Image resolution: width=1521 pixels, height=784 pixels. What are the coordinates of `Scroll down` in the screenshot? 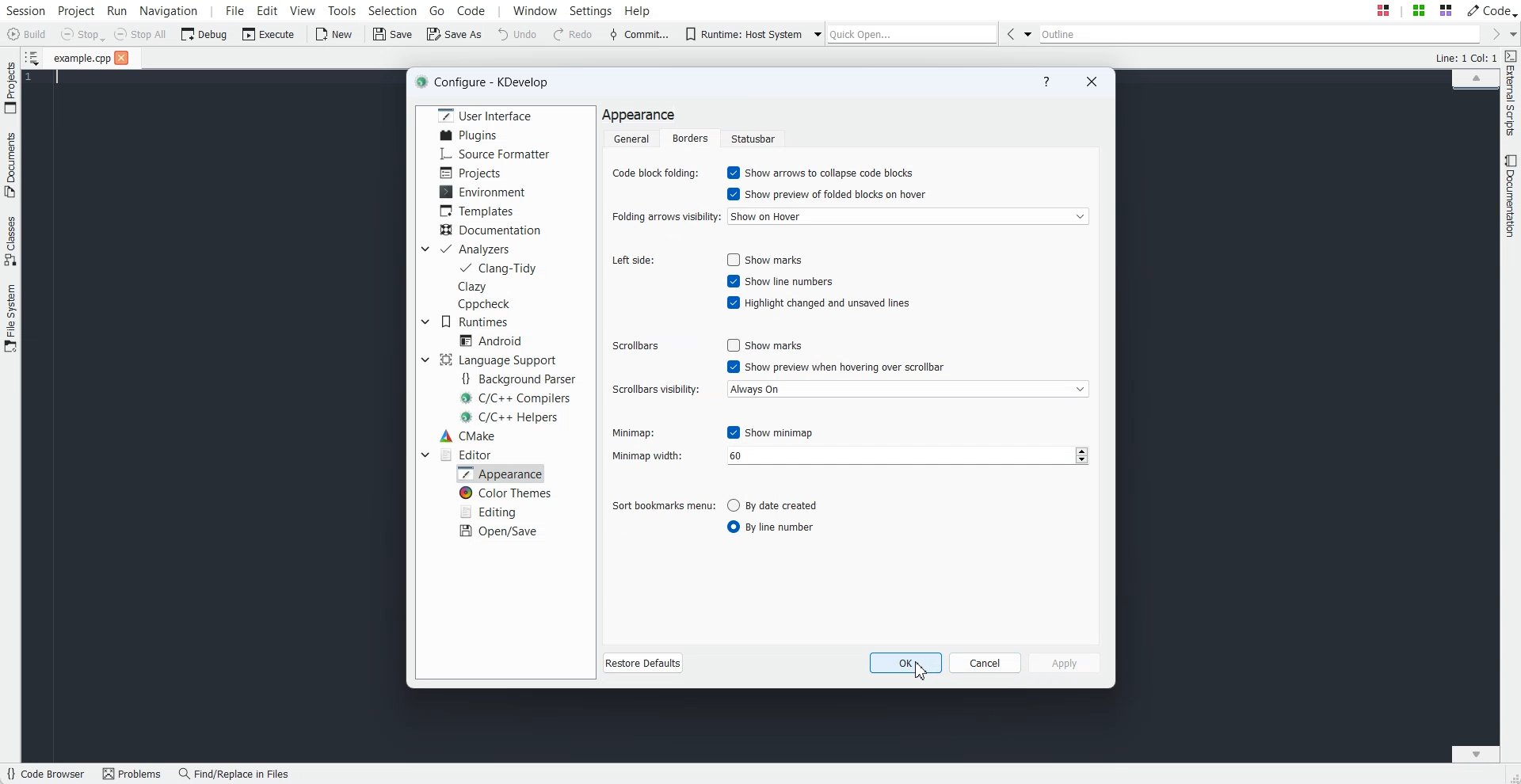 It's located at (1491, 755).